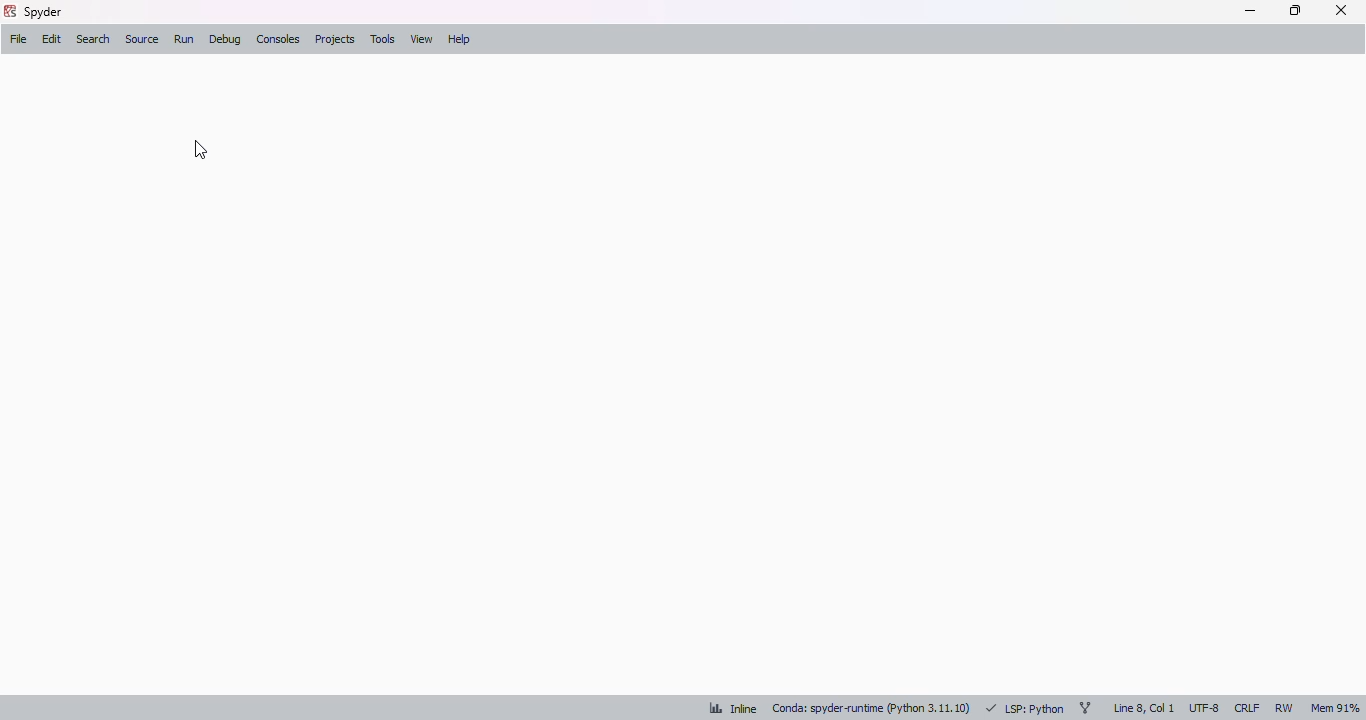  I want to click on Mem 91%, so click(1334, 710).